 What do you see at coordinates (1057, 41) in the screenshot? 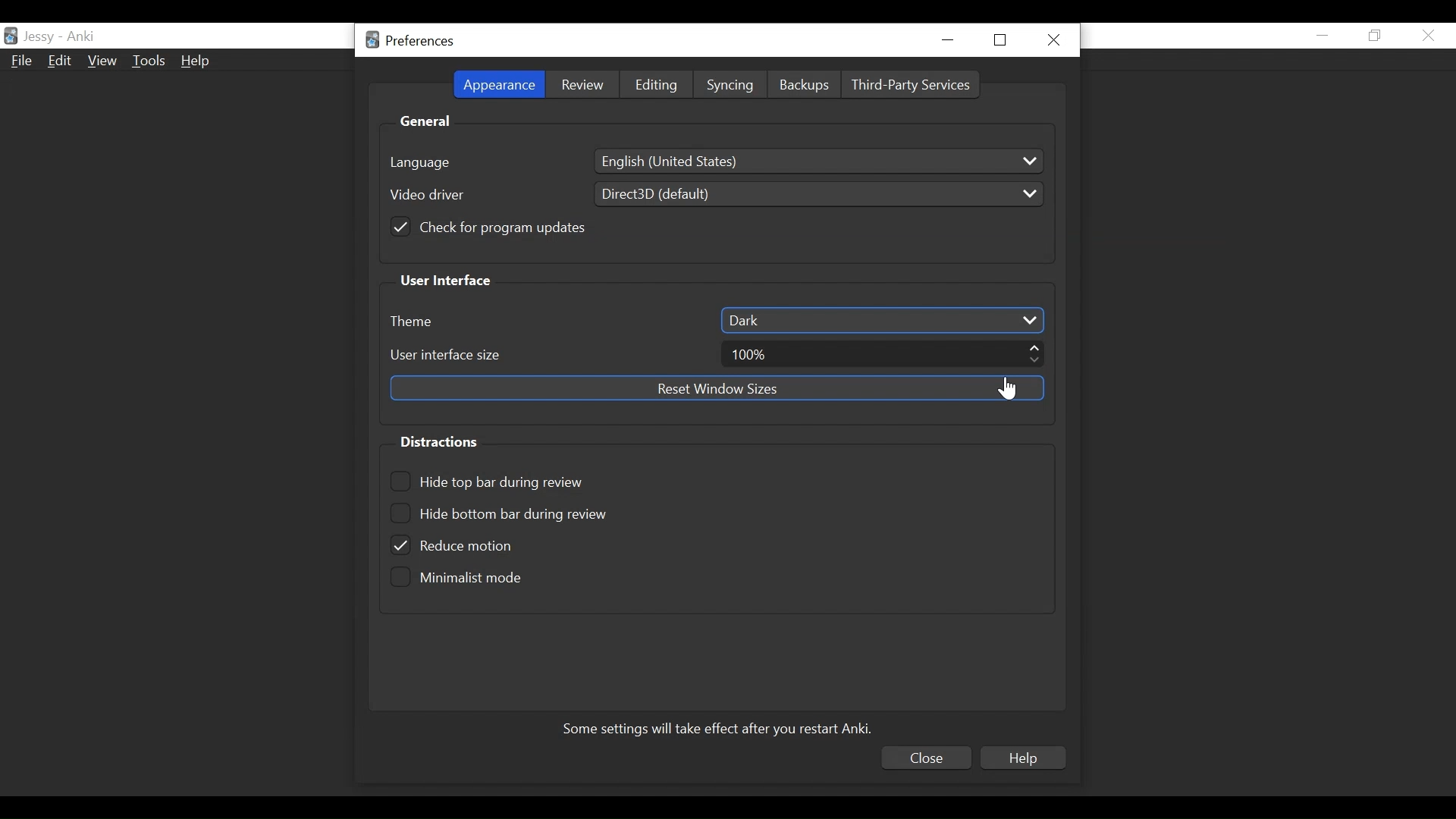
I see `Close` at bounding box center [1057, 41].